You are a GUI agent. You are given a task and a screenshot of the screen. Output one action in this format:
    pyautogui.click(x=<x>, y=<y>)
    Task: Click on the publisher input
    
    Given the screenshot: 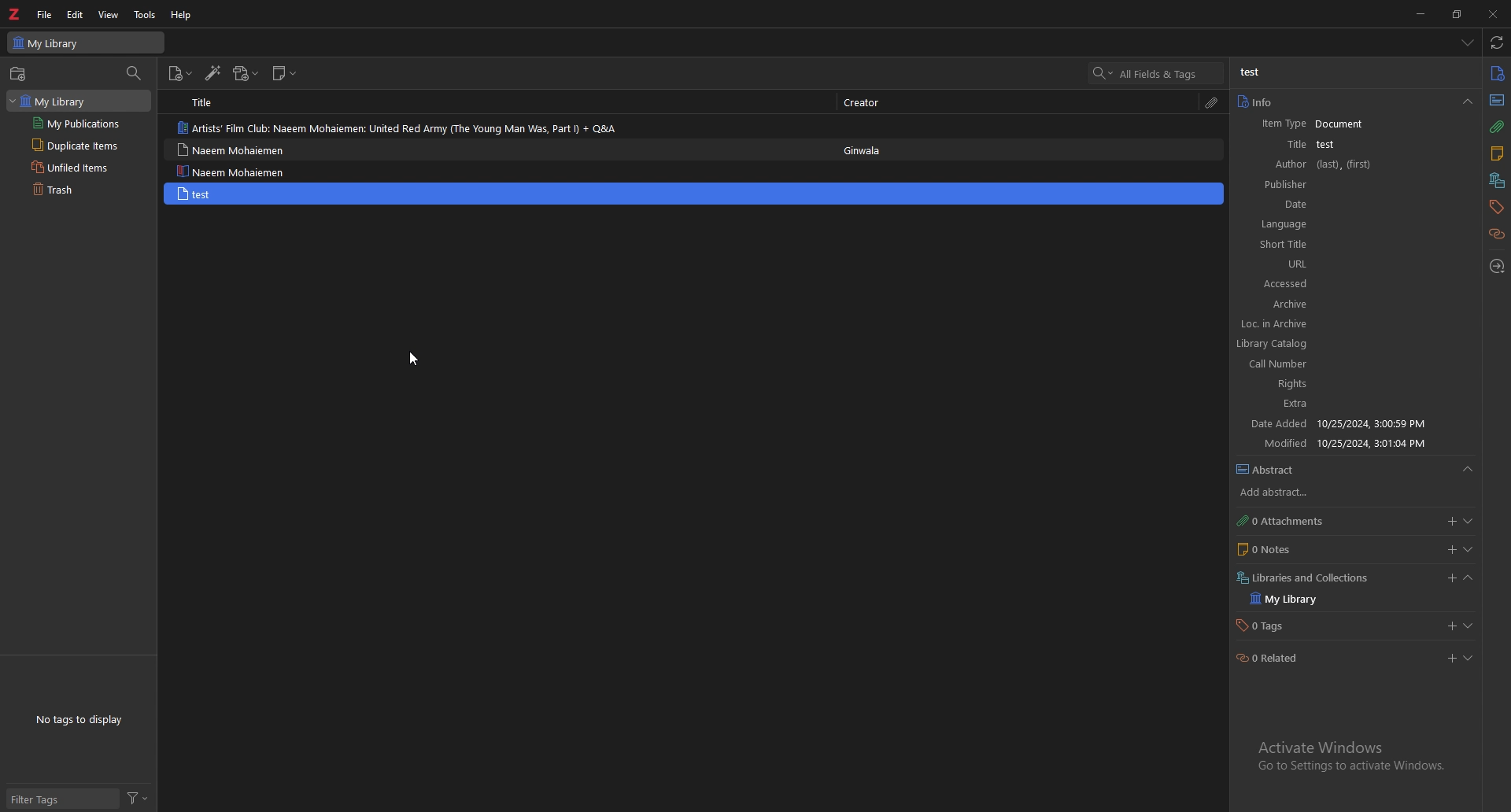 What is the action you would take?
    pyautogui.click(x=1368, y=185)
    